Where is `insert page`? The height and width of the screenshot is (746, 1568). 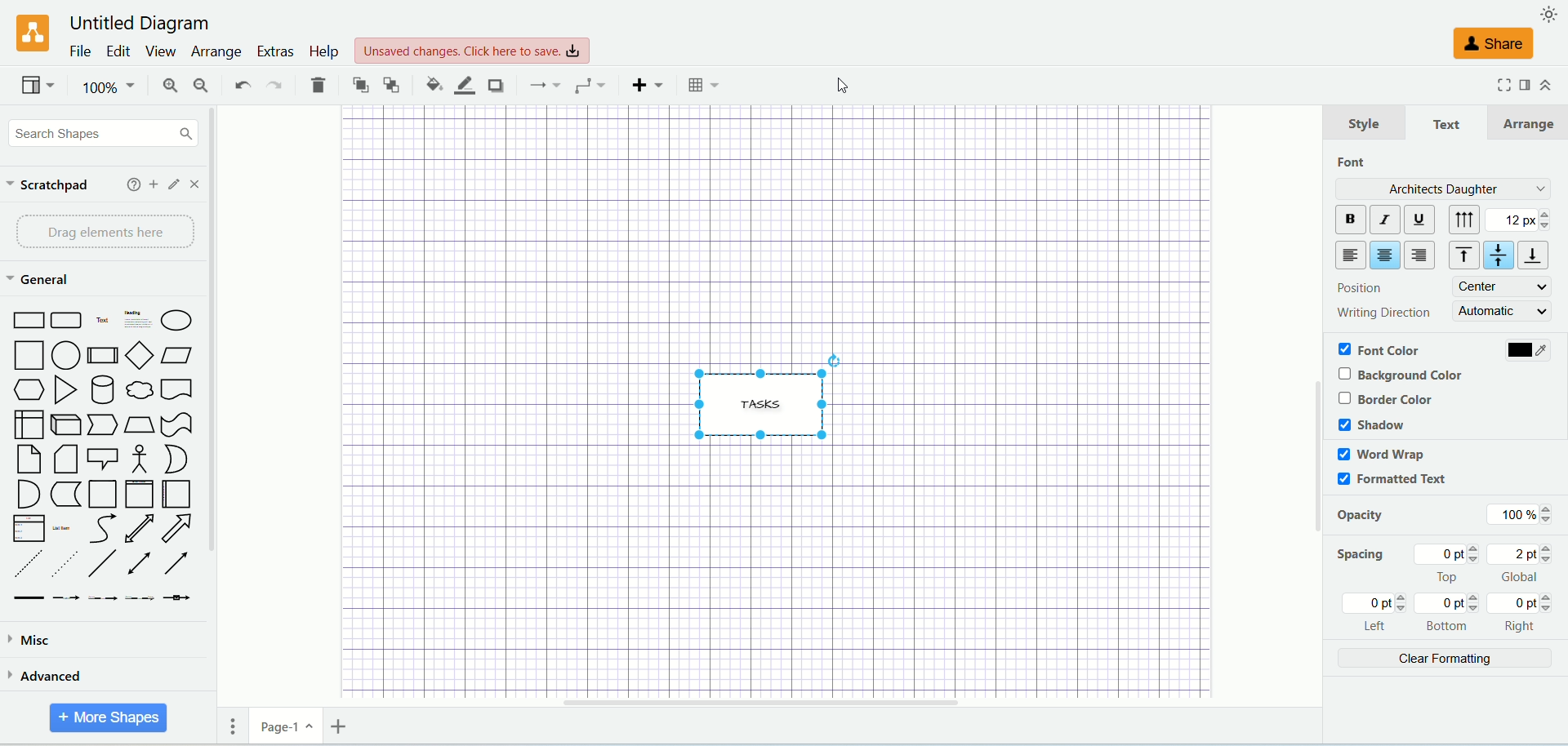 insert page is located at coordinates (337, 726).